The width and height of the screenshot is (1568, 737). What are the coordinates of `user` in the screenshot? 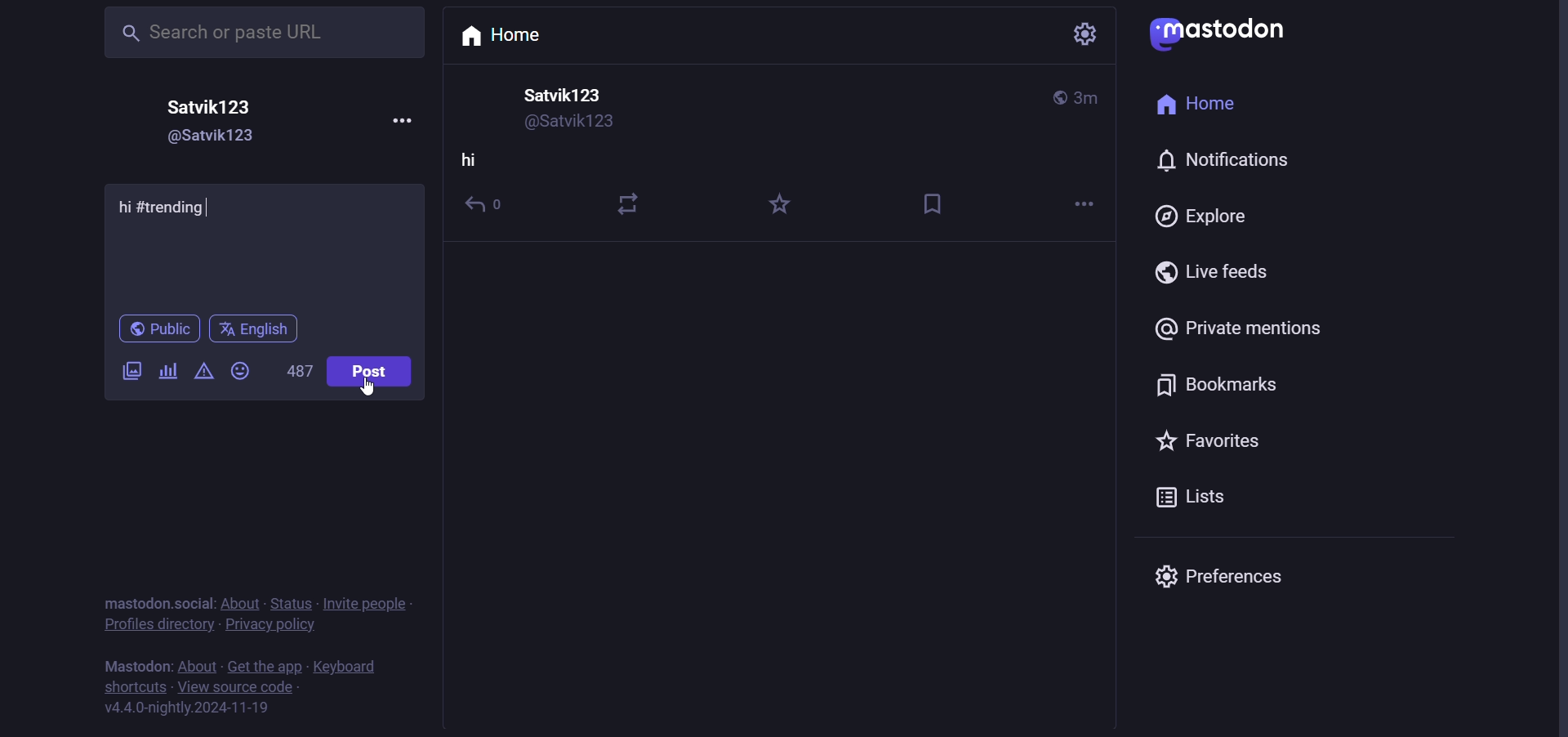 It's located at (212, 107).